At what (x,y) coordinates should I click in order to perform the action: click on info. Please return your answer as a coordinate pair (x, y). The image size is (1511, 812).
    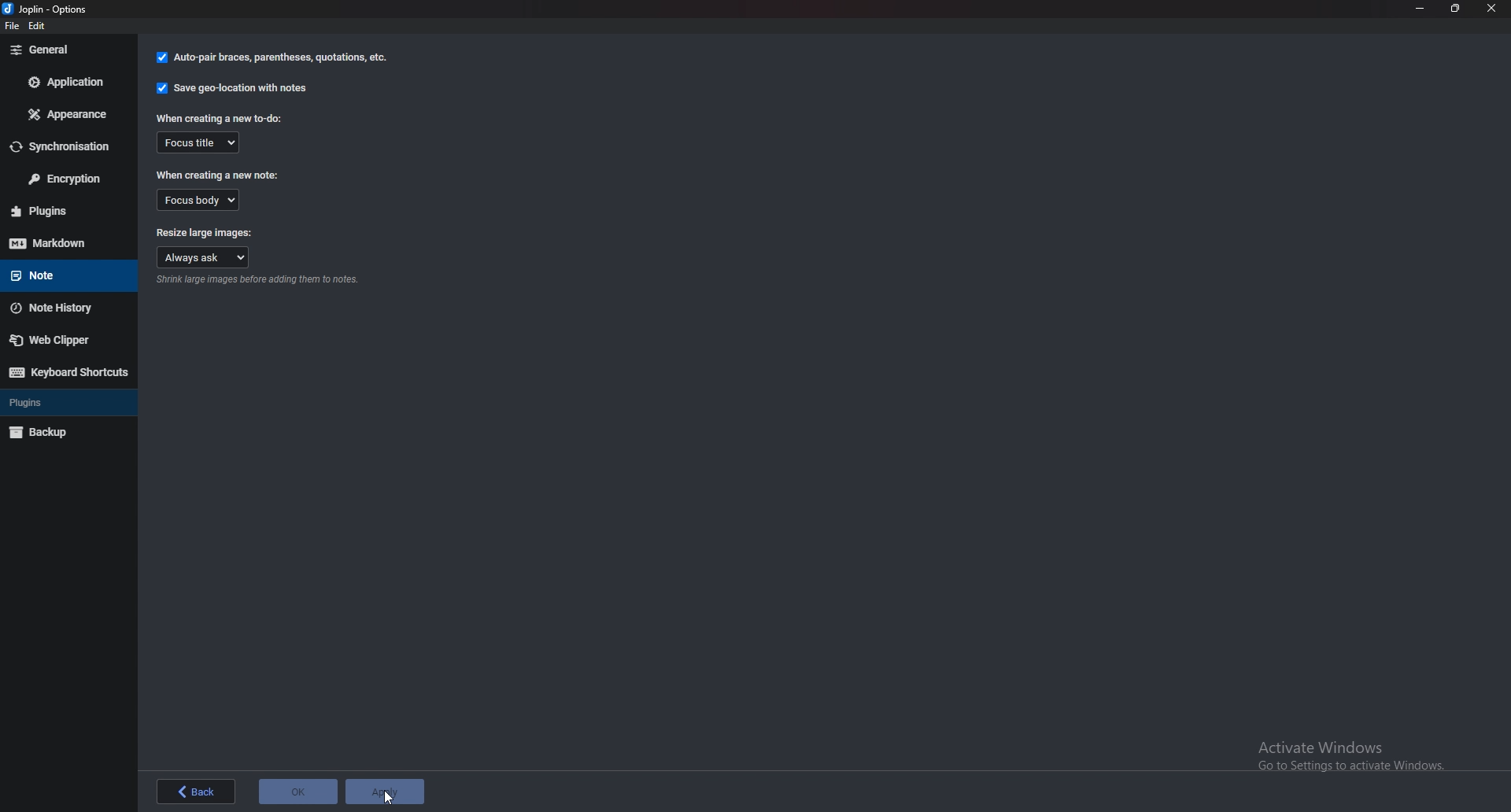
    Looking at the image, I should click on (261, 281).